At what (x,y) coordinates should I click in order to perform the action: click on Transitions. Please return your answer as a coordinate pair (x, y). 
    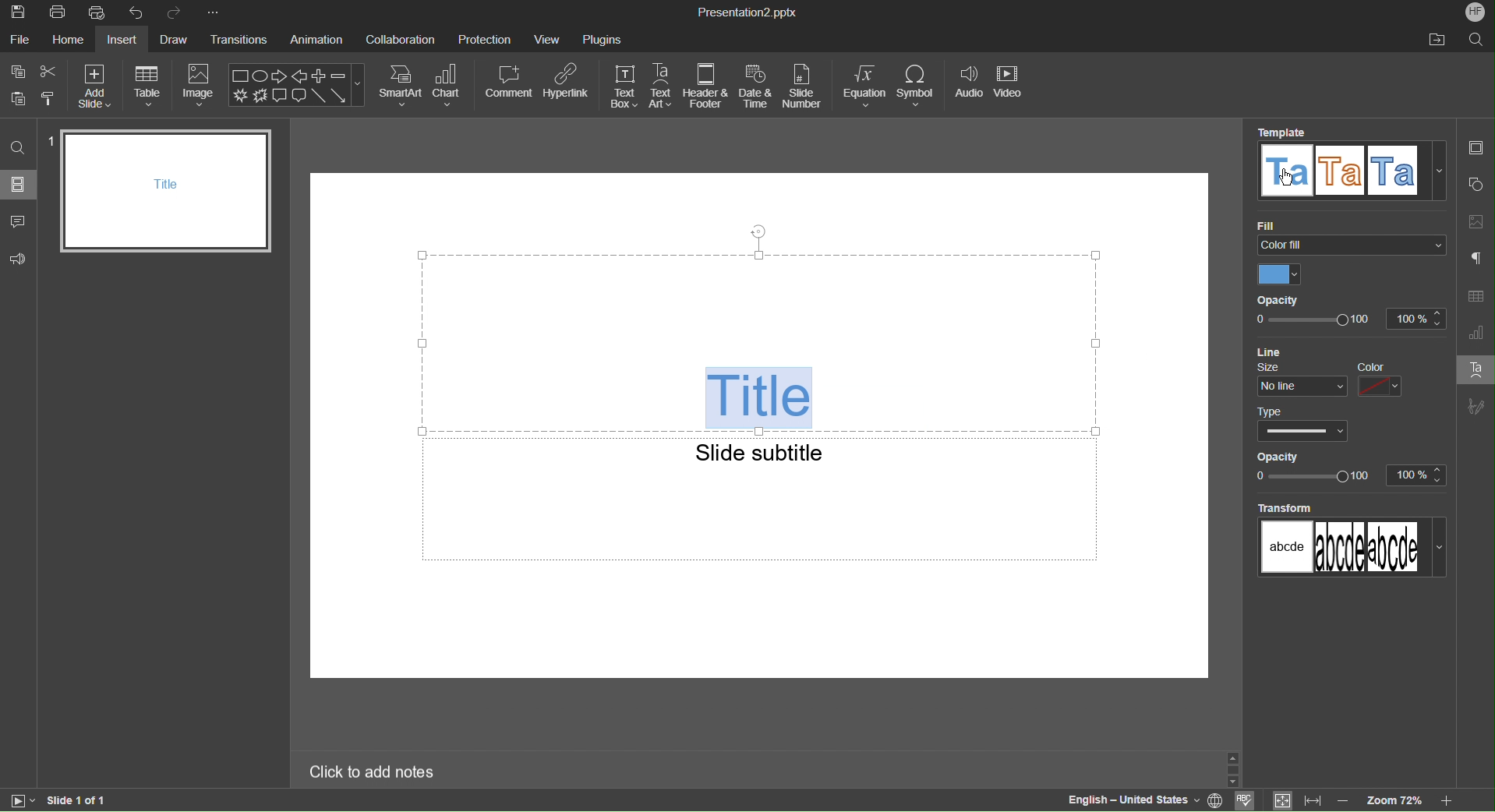
    Looking at the image, I should click on (242, 40).